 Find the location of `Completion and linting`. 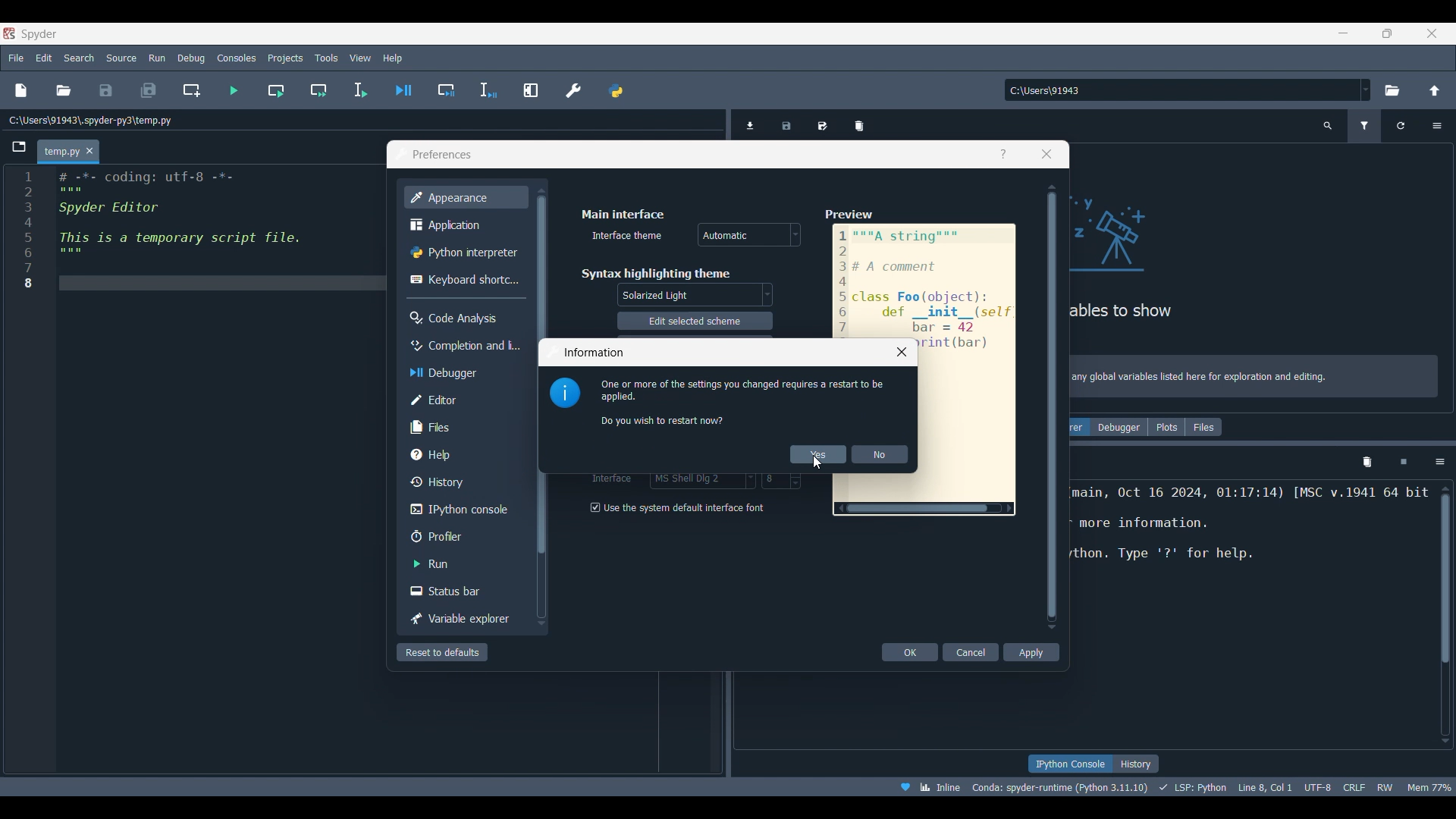

Completion and linting is located at coordinates (464, 346).